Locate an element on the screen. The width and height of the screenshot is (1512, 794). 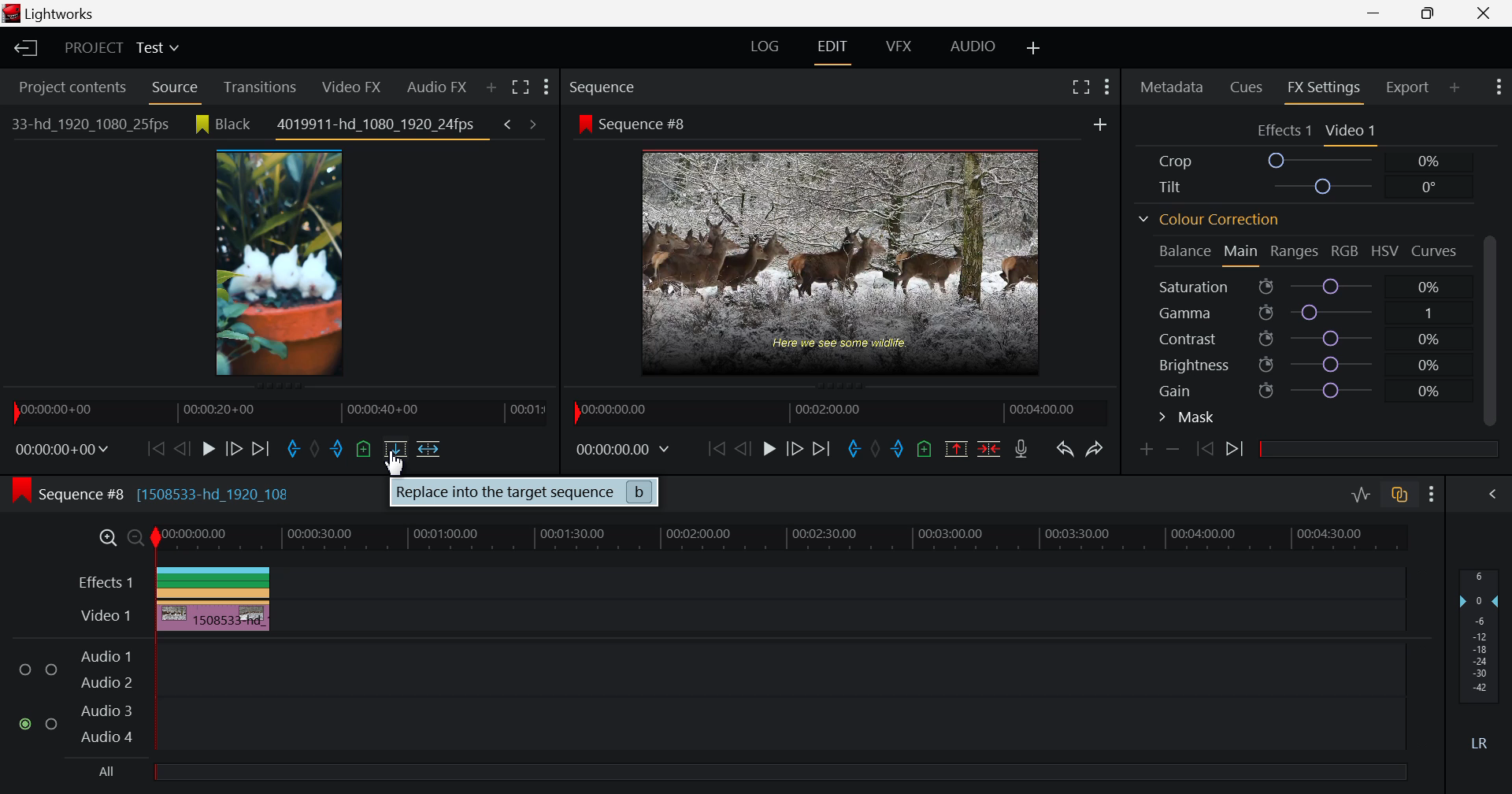
Source is located at coordinates (174, 88).